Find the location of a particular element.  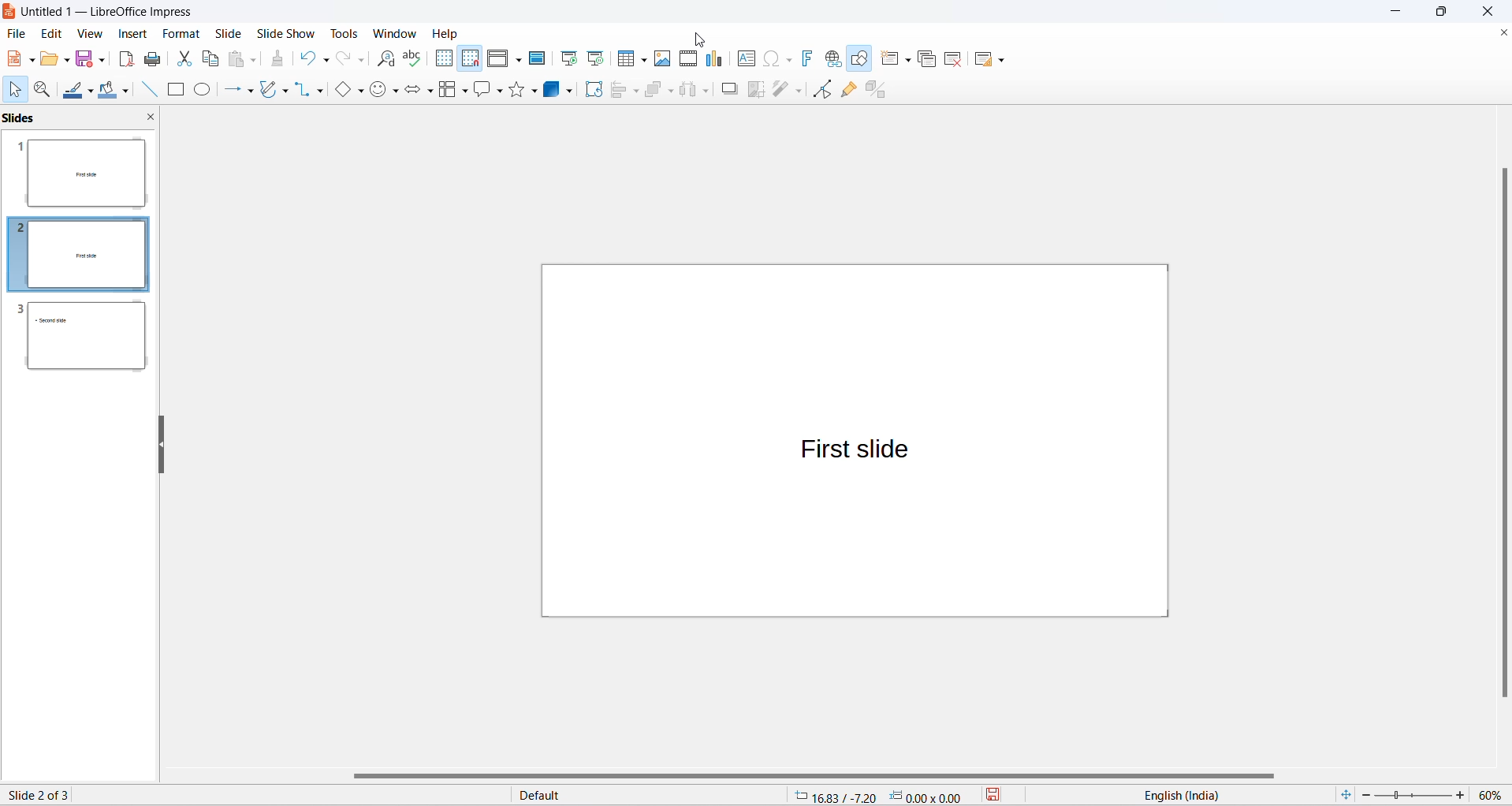

redo options is located at coordinates (365, 56).